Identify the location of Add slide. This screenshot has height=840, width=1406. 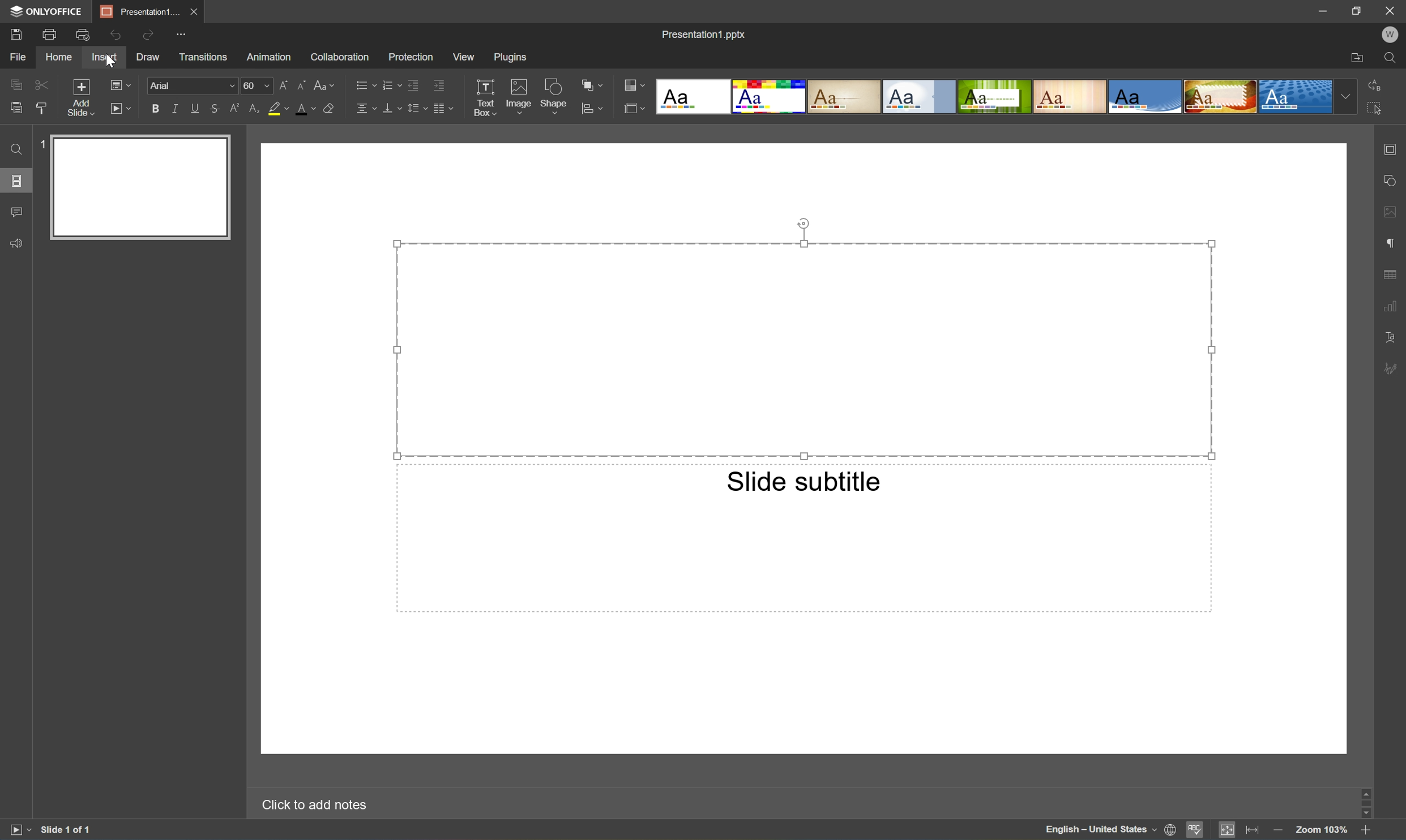
(79, 97).